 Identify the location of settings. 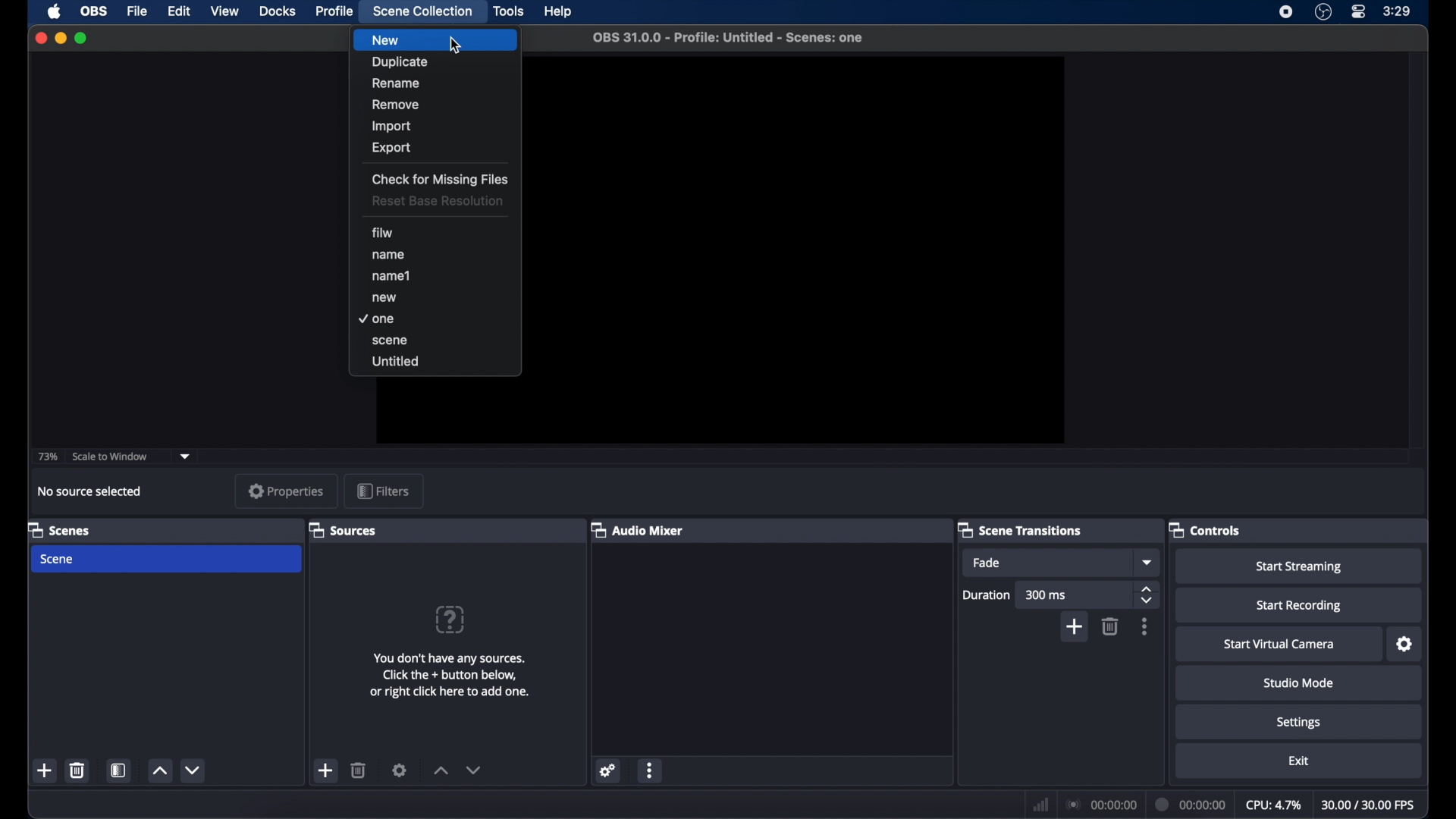
(606, 770).